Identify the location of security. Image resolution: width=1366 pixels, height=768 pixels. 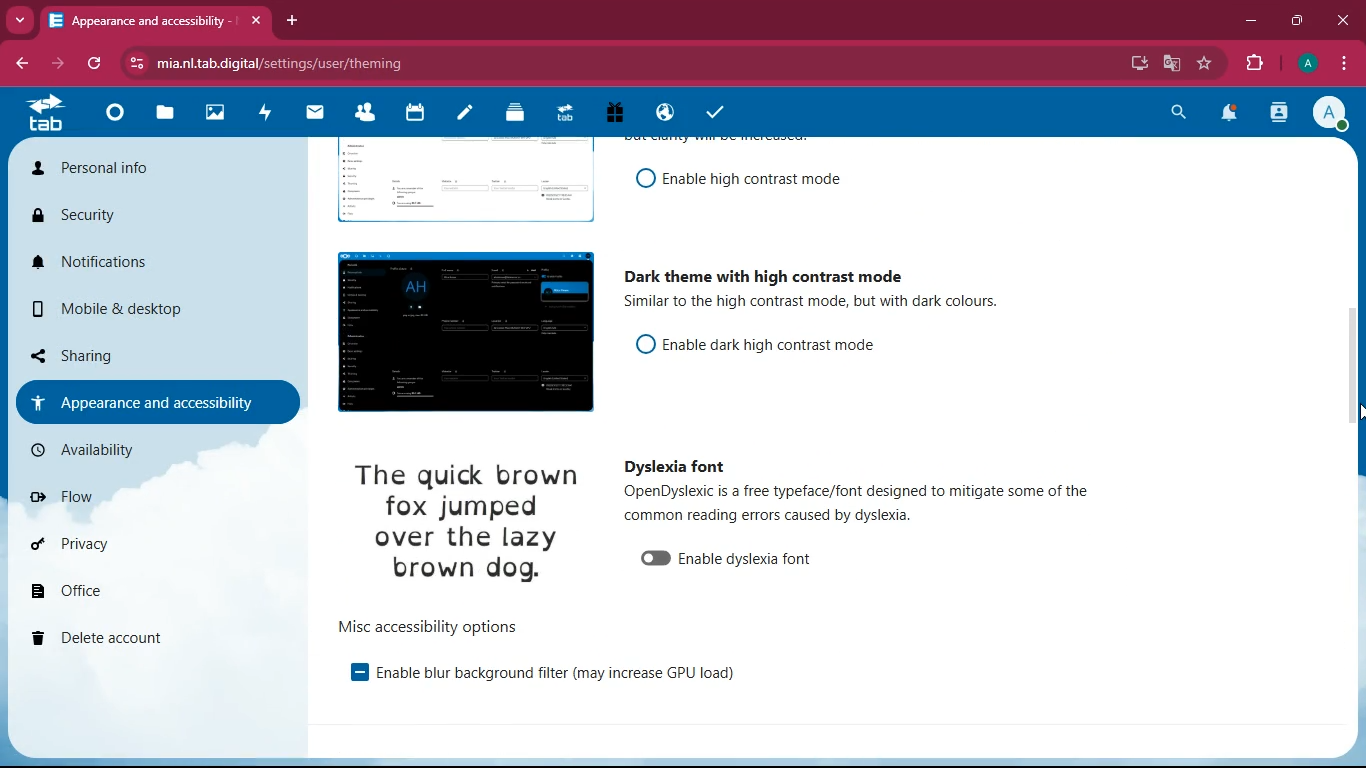
(136, 216).